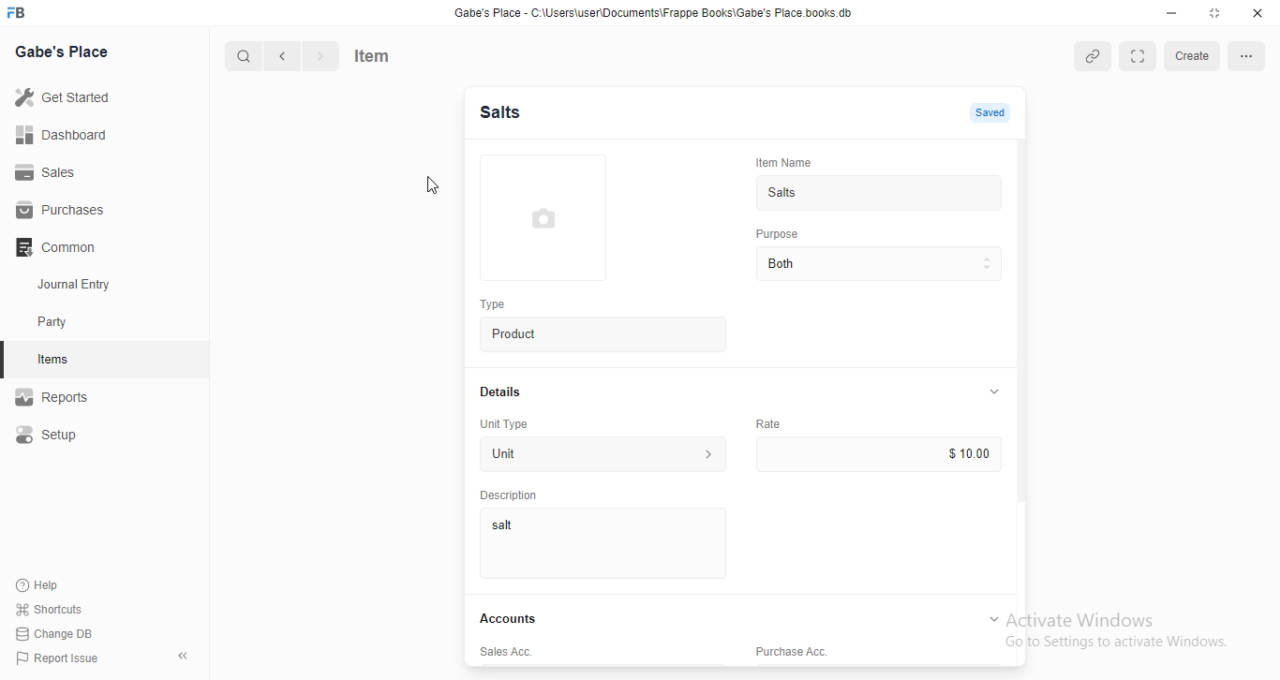  Describe the element at coordinates (244, 58) in the screenshot. I see `search` at that location.